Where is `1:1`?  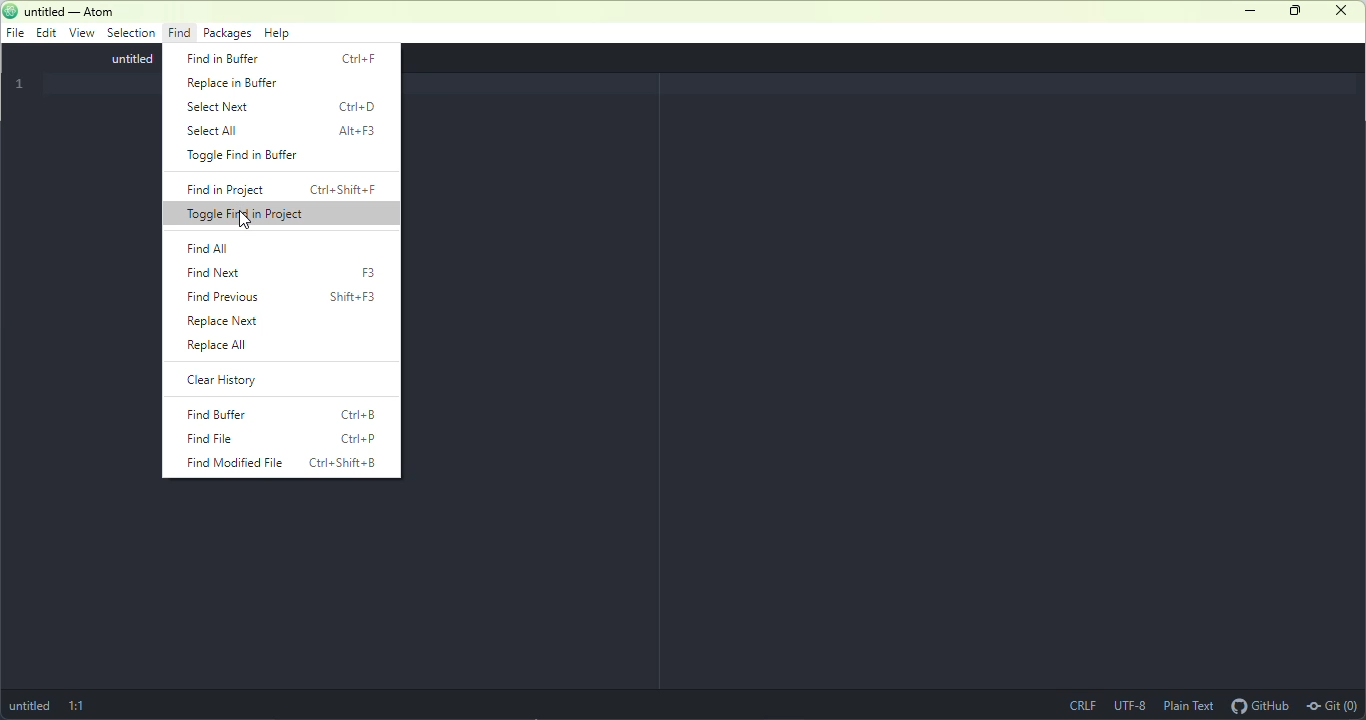
1:1 is located at coordinates (79, 704).